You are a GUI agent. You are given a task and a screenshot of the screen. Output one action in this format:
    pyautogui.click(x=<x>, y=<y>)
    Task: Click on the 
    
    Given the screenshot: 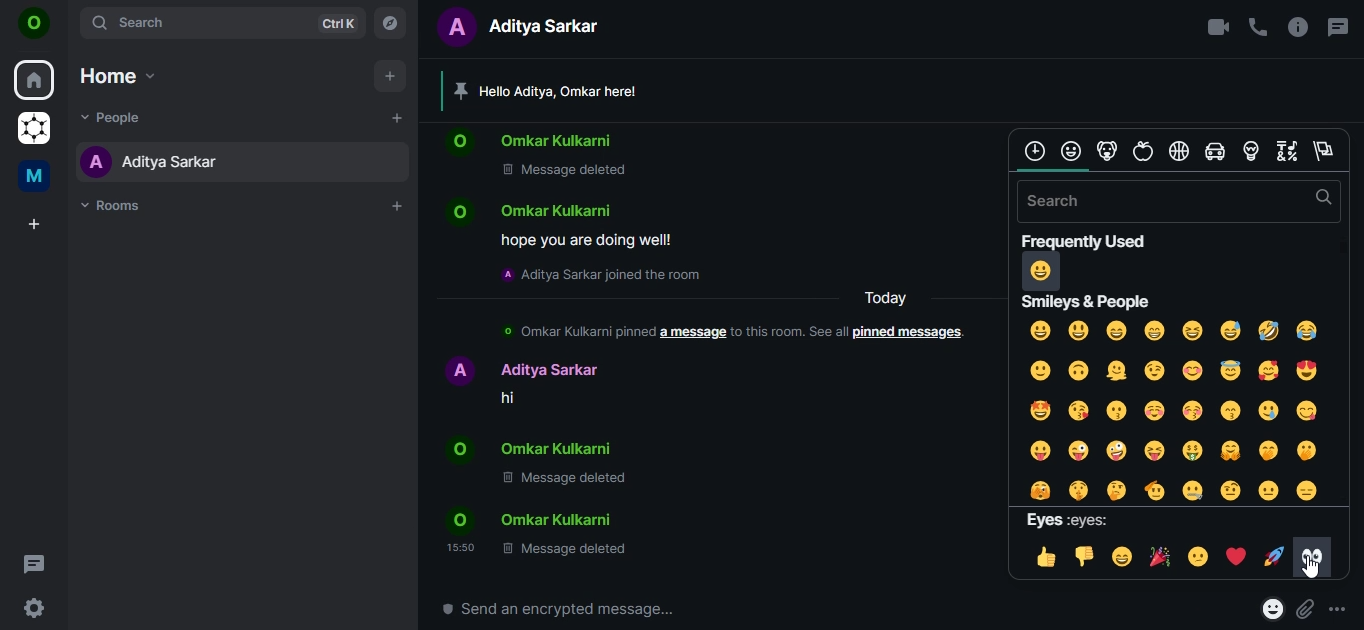 What is the action you would take?
    pyautogui.click(x=1251, y=151)
    